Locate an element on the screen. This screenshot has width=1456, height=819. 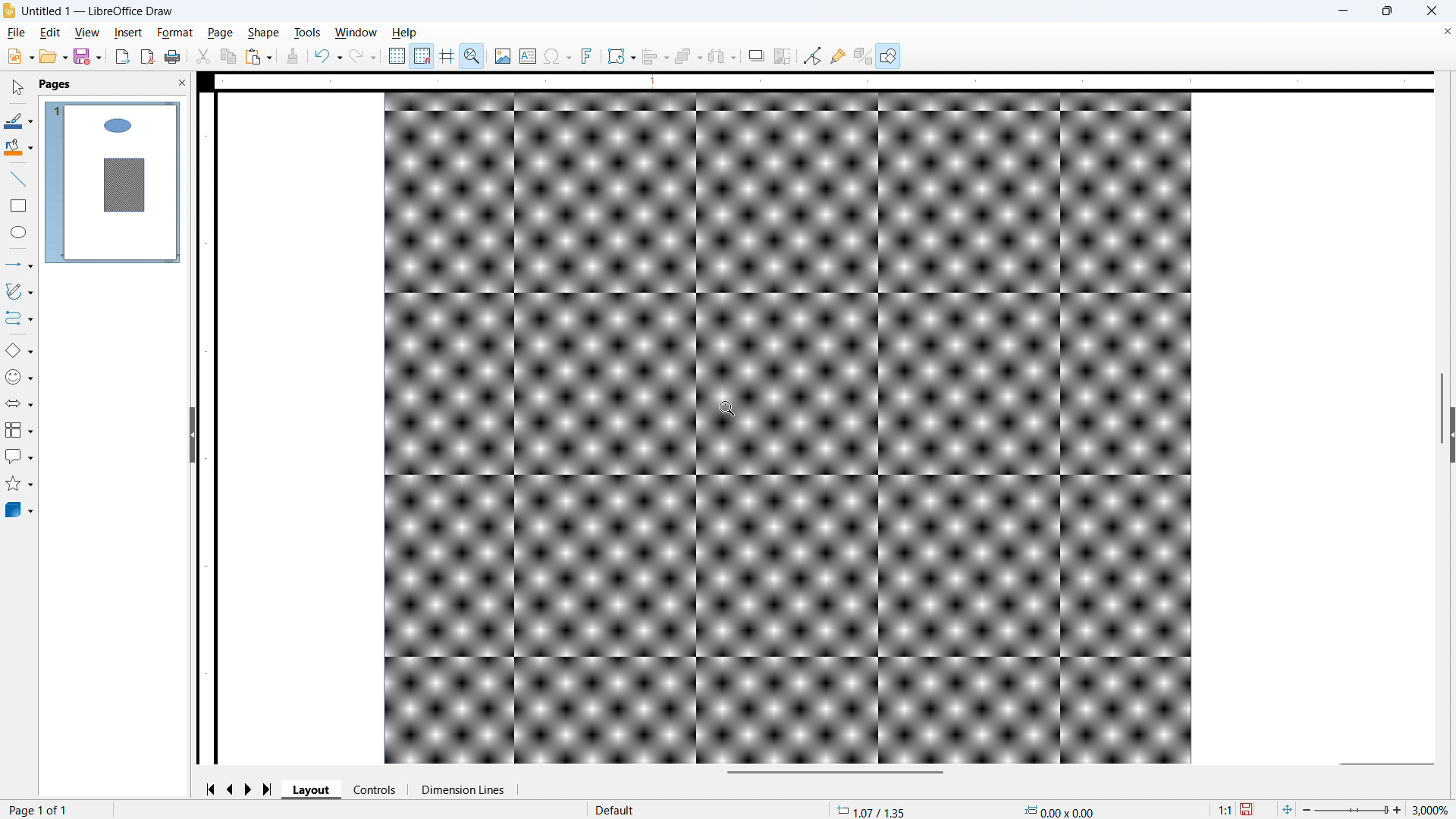
Cursor as zoom tool is located at coordinates (728, 407).